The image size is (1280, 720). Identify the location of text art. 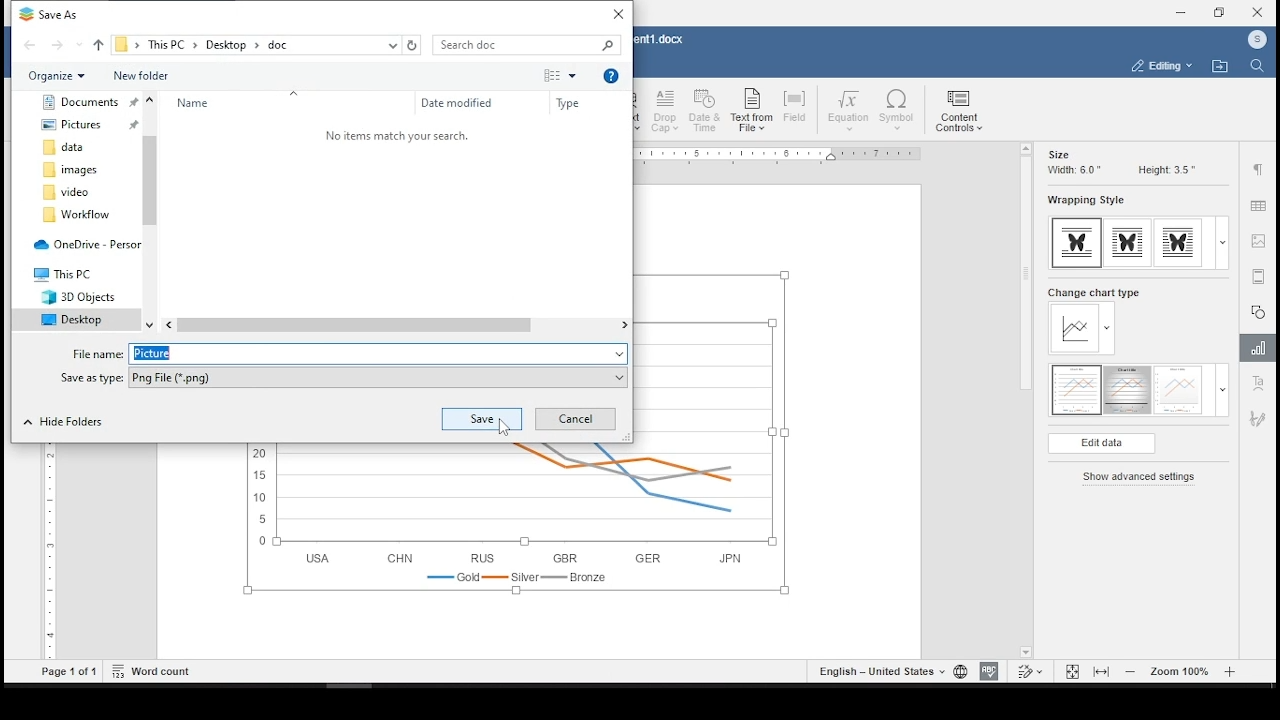
(639, 110).